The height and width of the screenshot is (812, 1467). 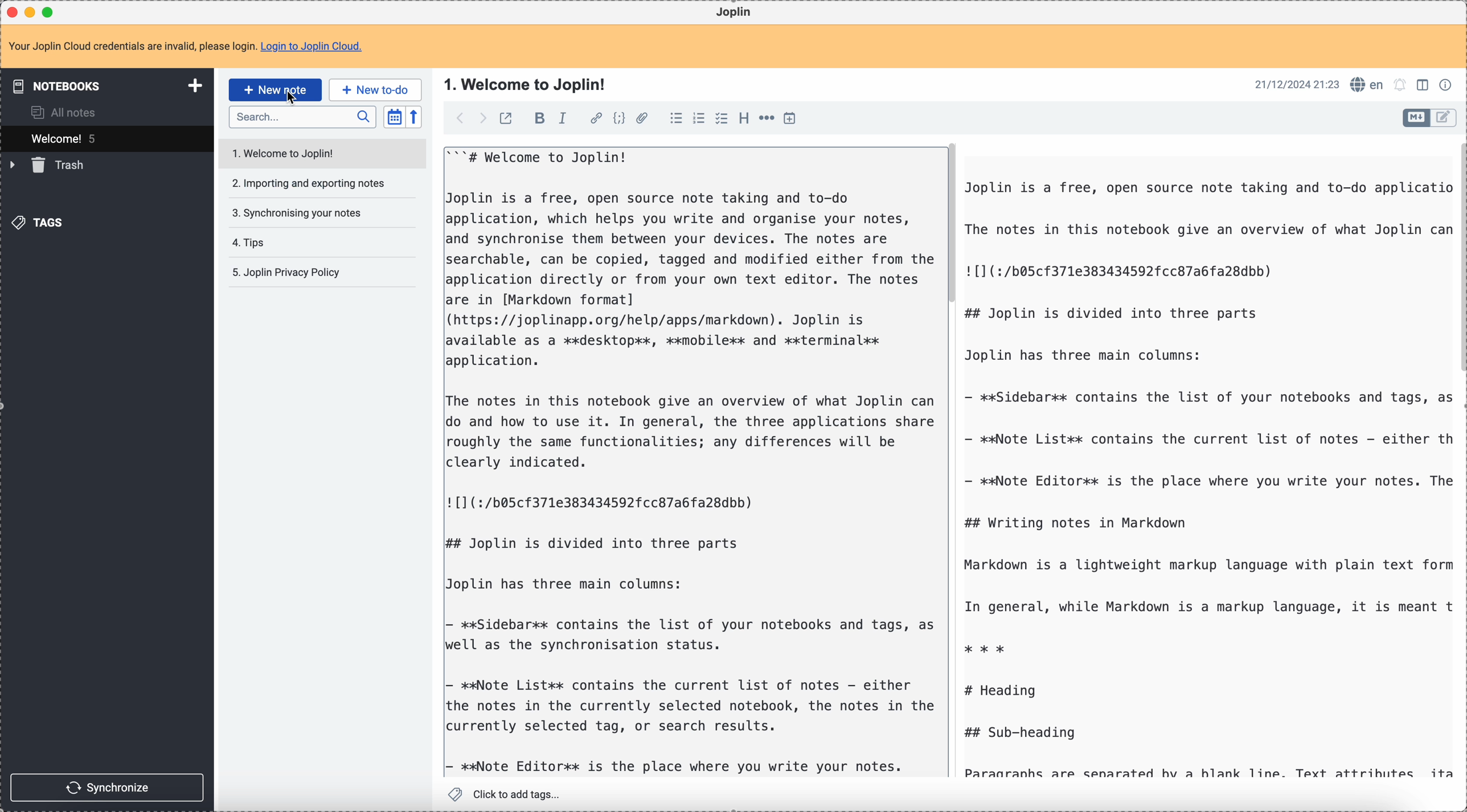 What do you see at coordinates (306, 183) in the screenshot?
I see `importing and exporting your notes` at bounding box center [306, 183].